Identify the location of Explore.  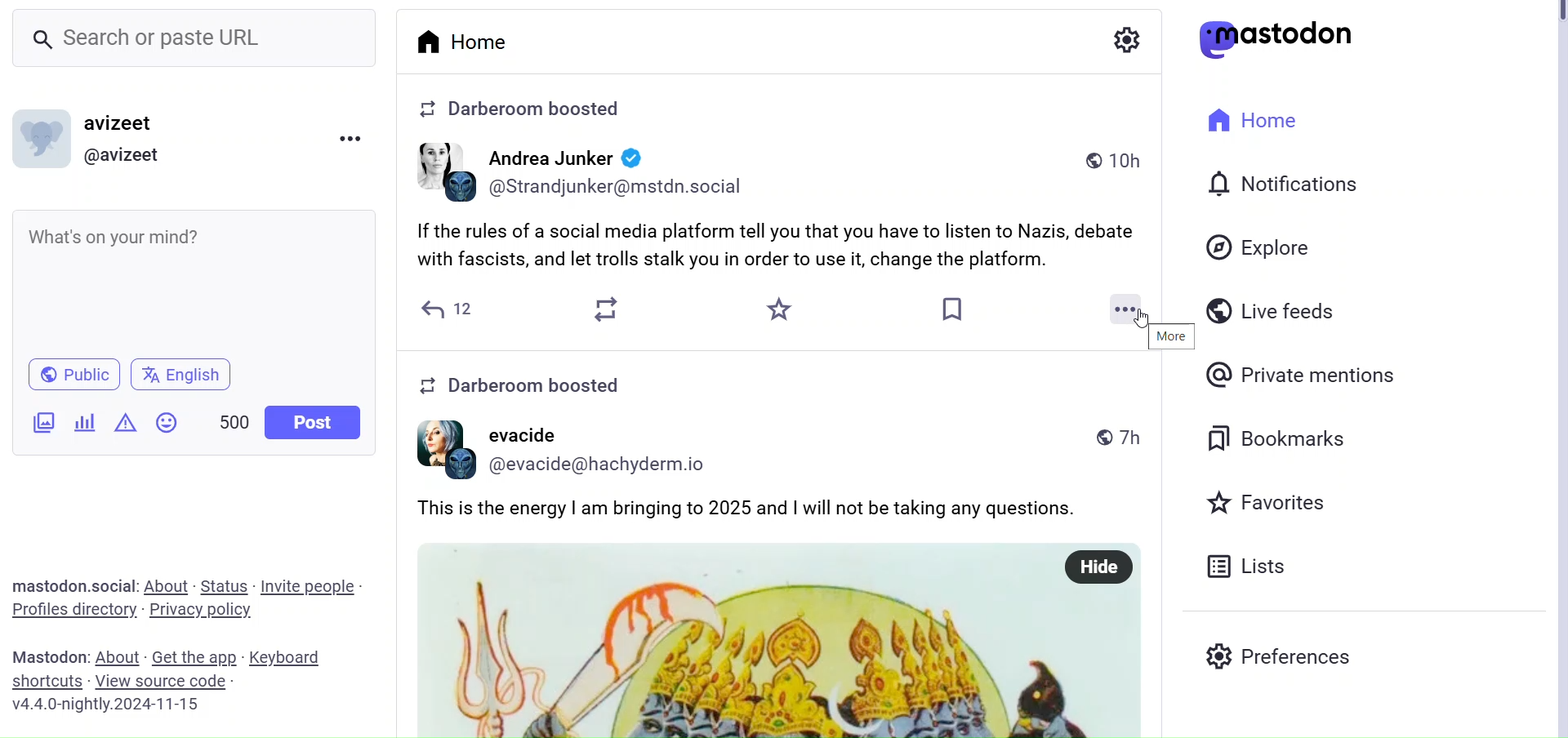
(1256, 247).